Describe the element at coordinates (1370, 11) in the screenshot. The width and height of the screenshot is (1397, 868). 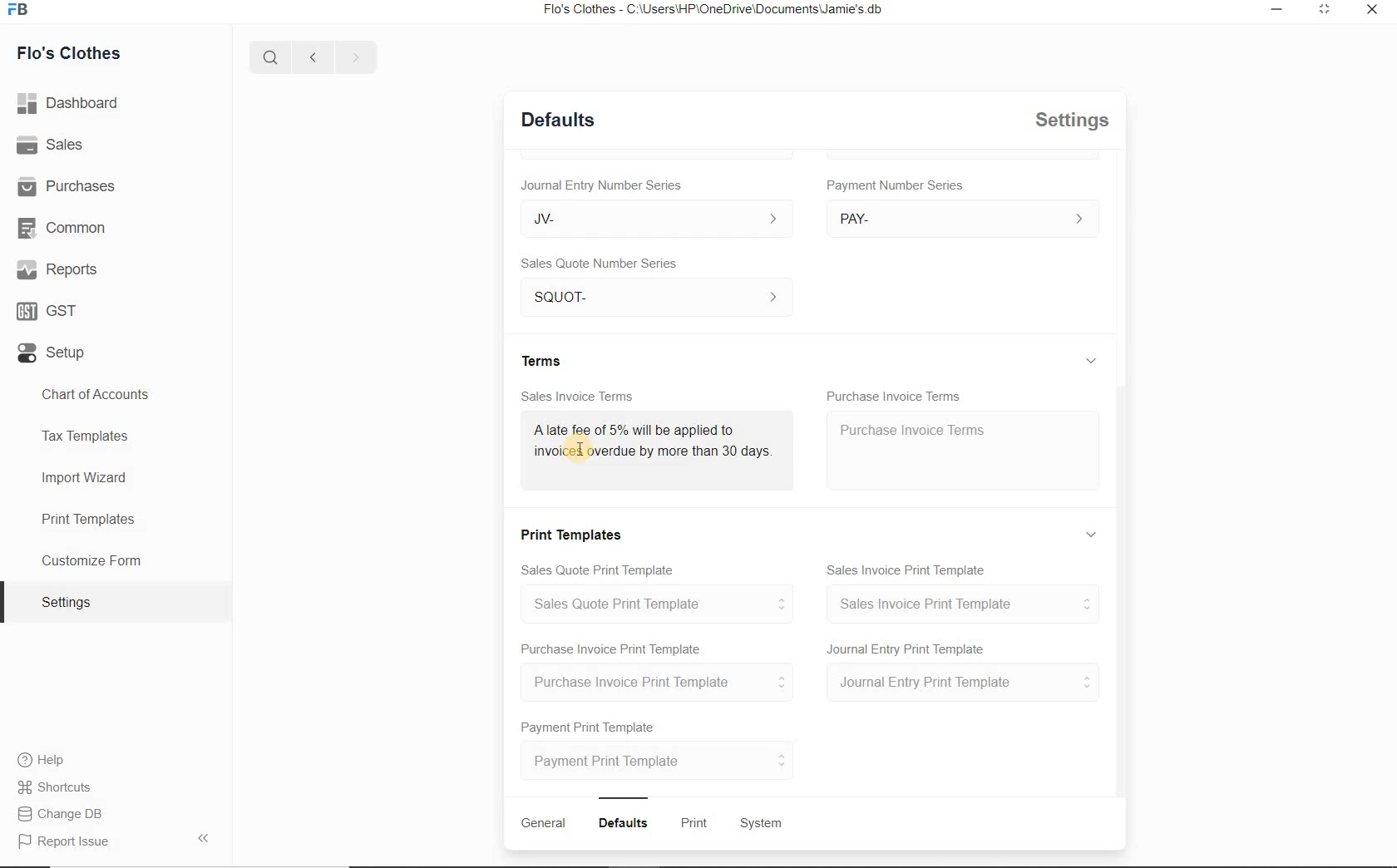
I see `Close` at that location.